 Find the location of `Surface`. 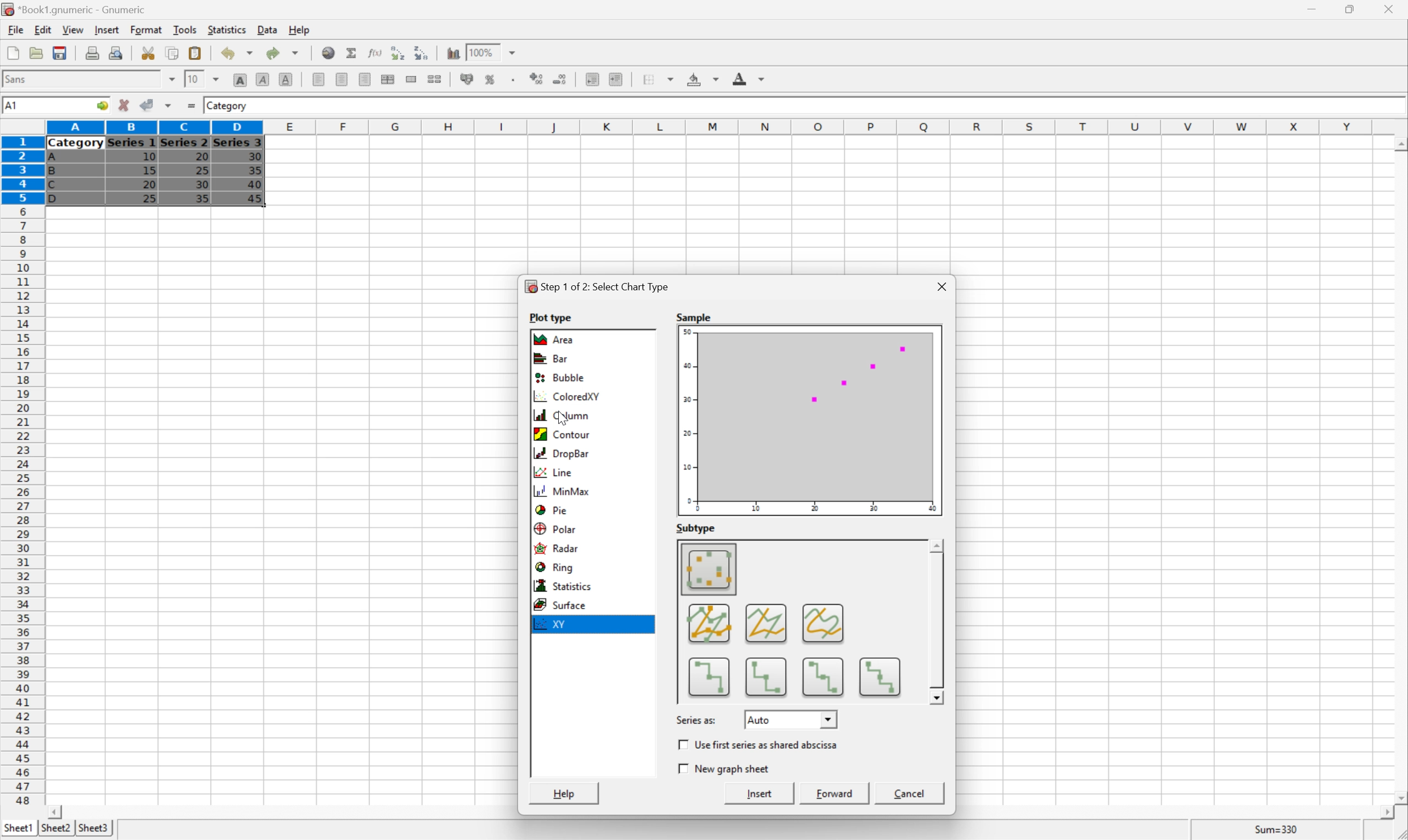

Surface is located at coordinates (560, 605).